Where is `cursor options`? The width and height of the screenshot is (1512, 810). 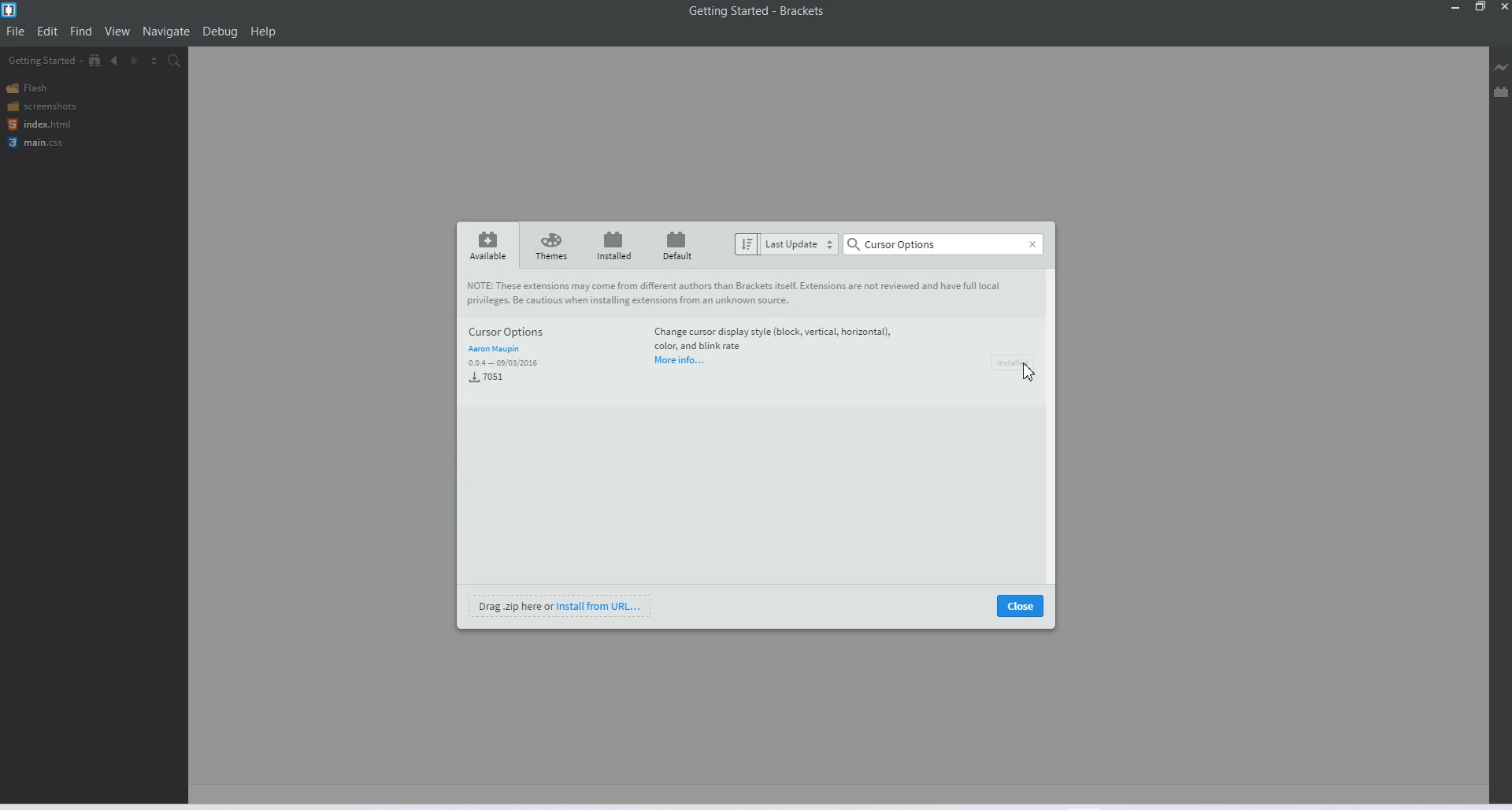 cursor options is located at coordinates (943, 244).